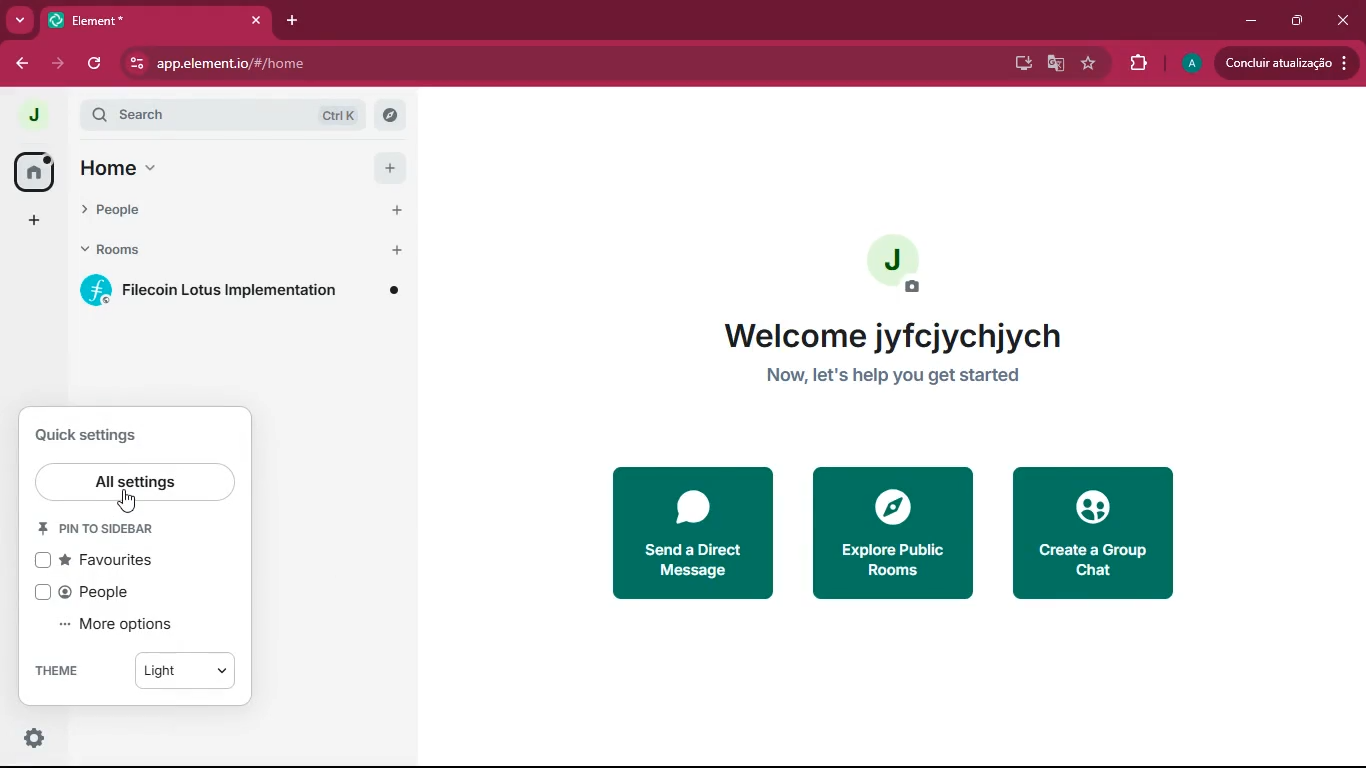 Image resolution: width=1366 pixels, height=768 pixels. Describe the element at coordinates (188, 671) in the screenshot. I see `Light` at that location.